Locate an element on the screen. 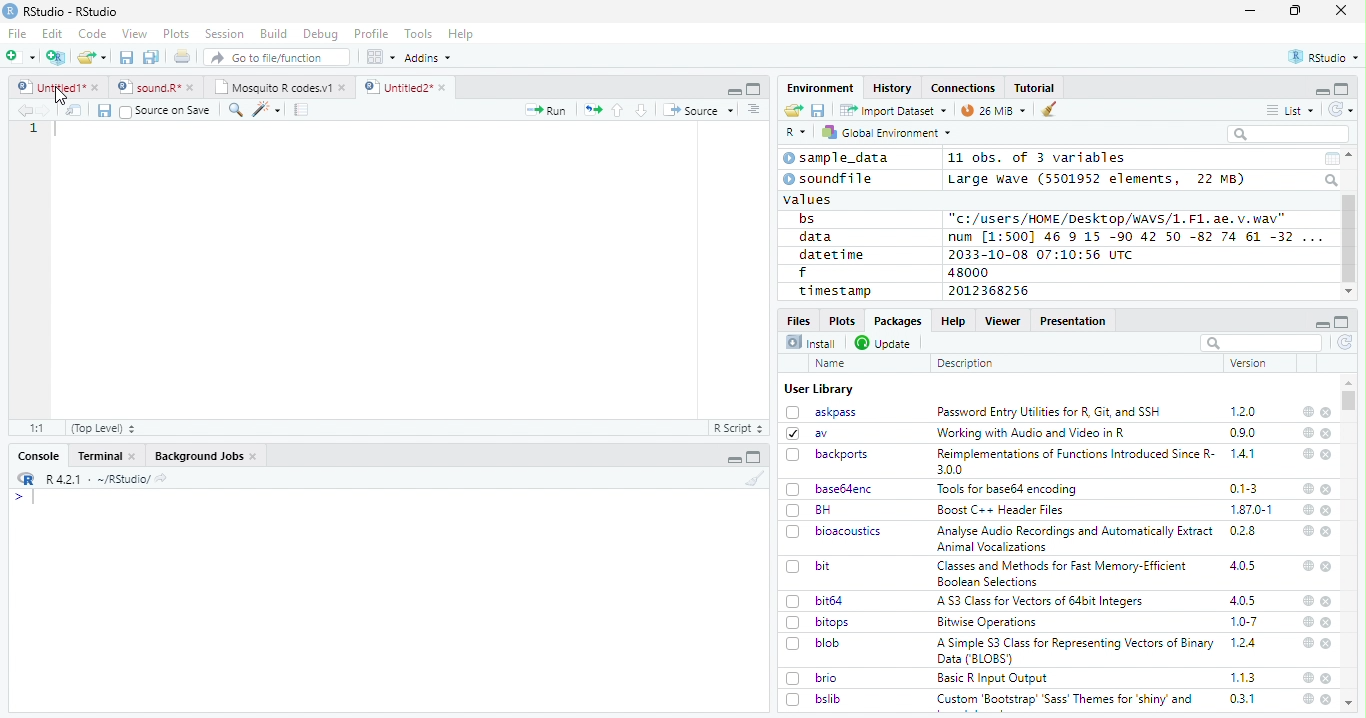 This screenshot has width=1366, height=718. close is located at coordinates (1328, 532).